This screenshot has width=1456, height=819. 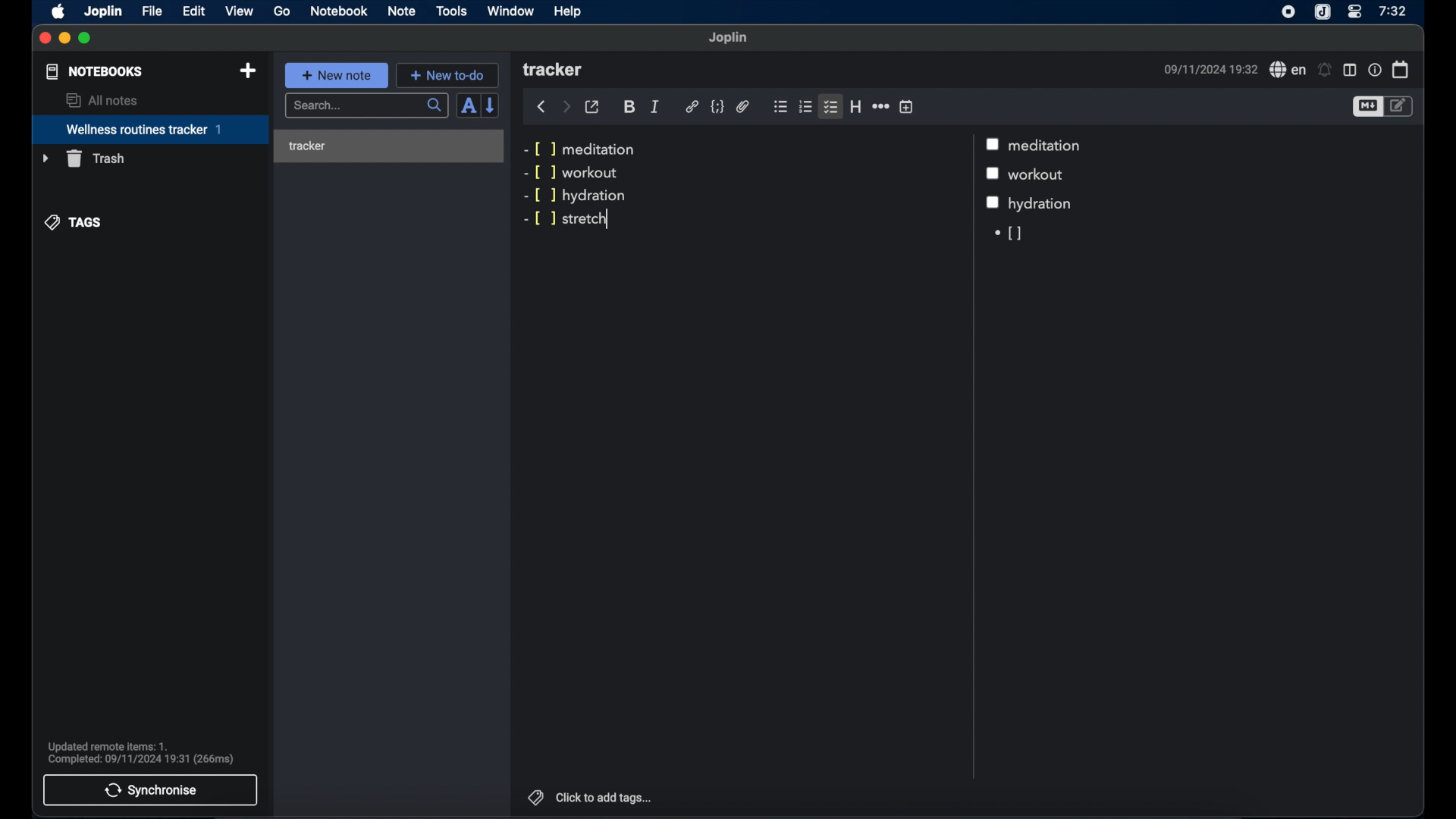 What do you see at coordinates (193, 11) in the screenshot?
I see `edit` at bounding box center [193, 11].